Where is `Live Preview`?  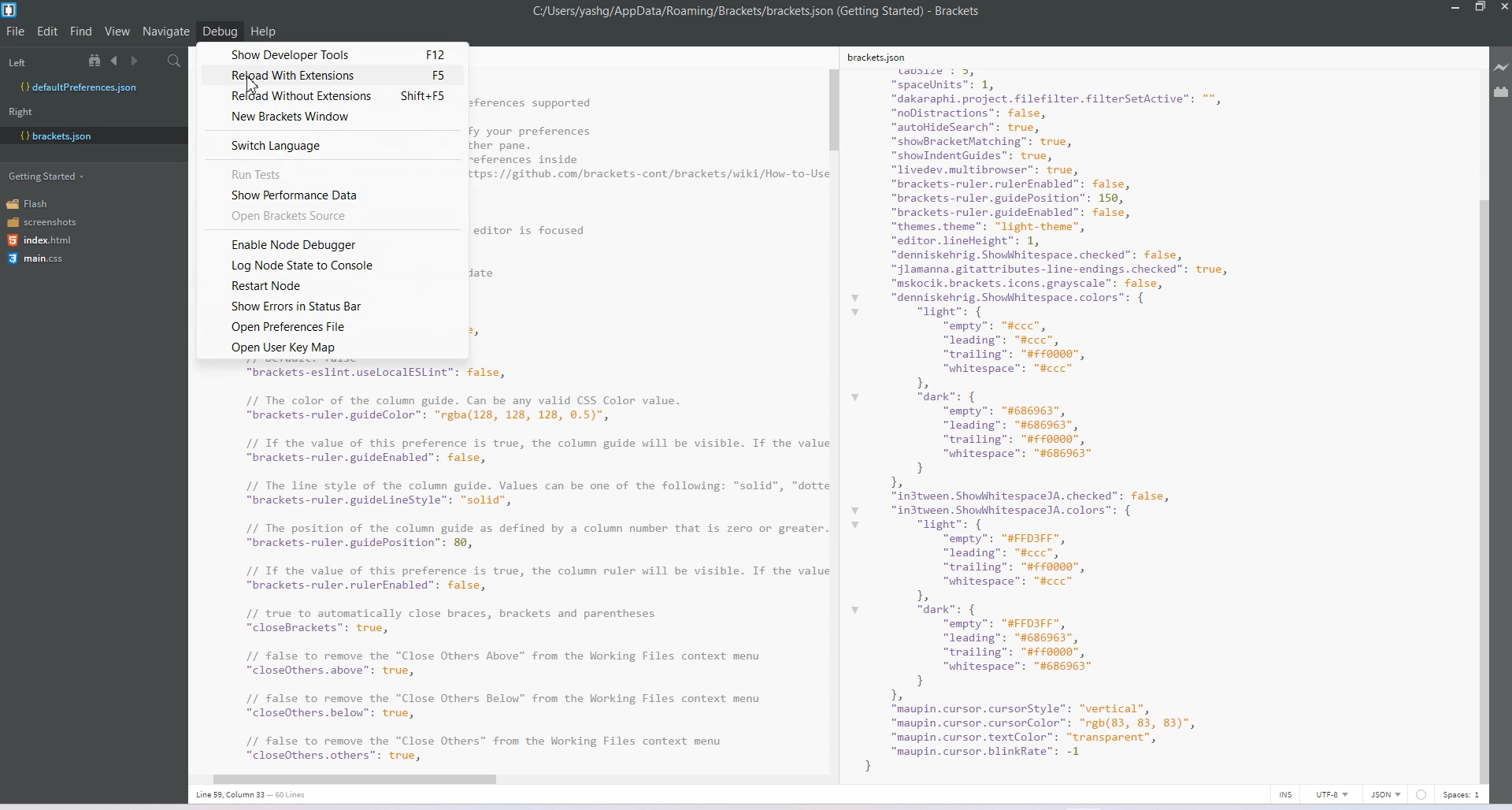 Live Preview is located at coordinates (1502, 68).